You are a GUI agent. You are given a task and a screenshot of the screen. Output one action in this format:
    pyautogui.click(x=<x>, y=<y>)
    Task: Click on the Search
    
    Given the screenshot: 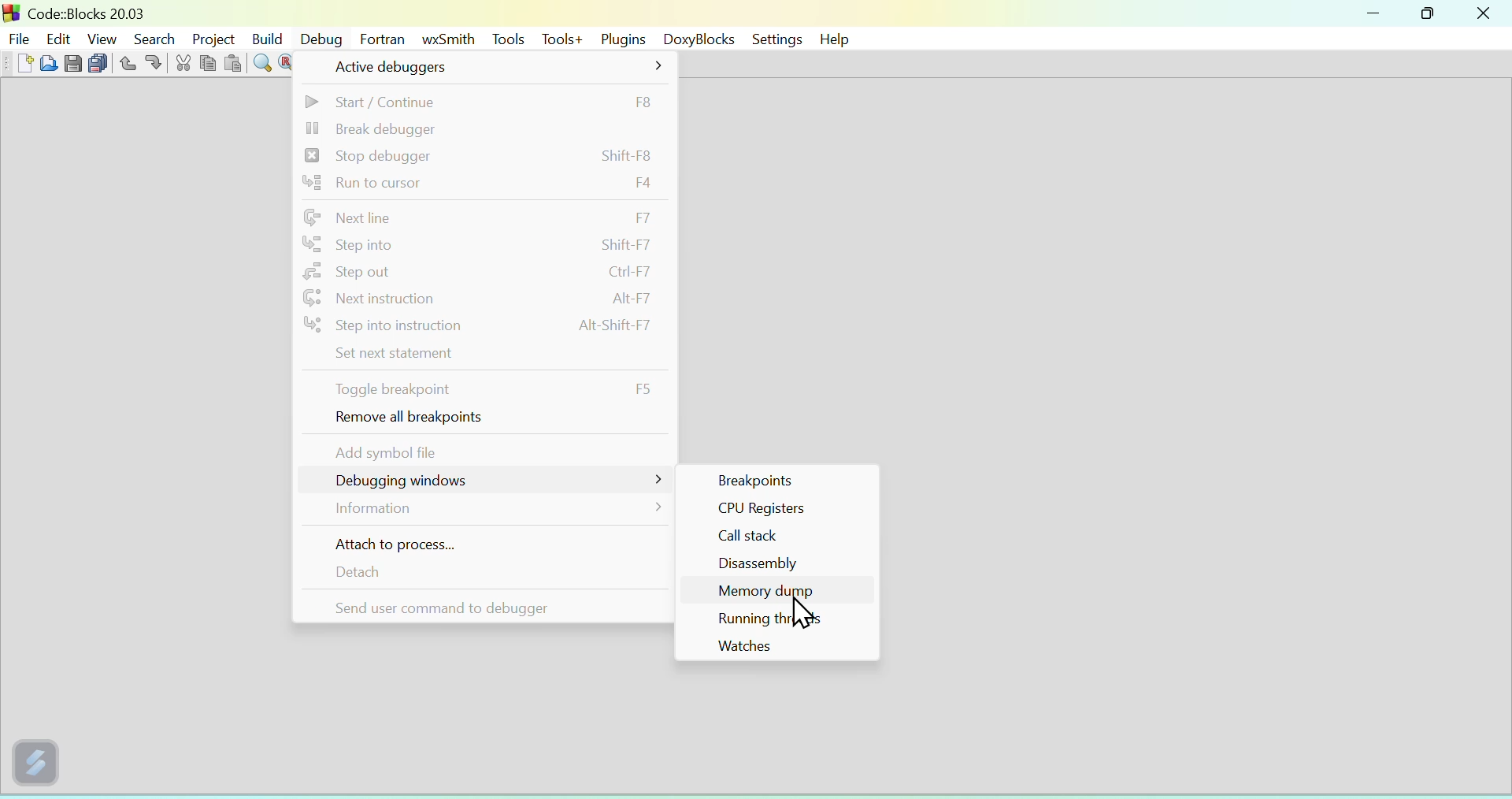 What is the action you would take?
    pyautogui.click(x=151, y=38)
    